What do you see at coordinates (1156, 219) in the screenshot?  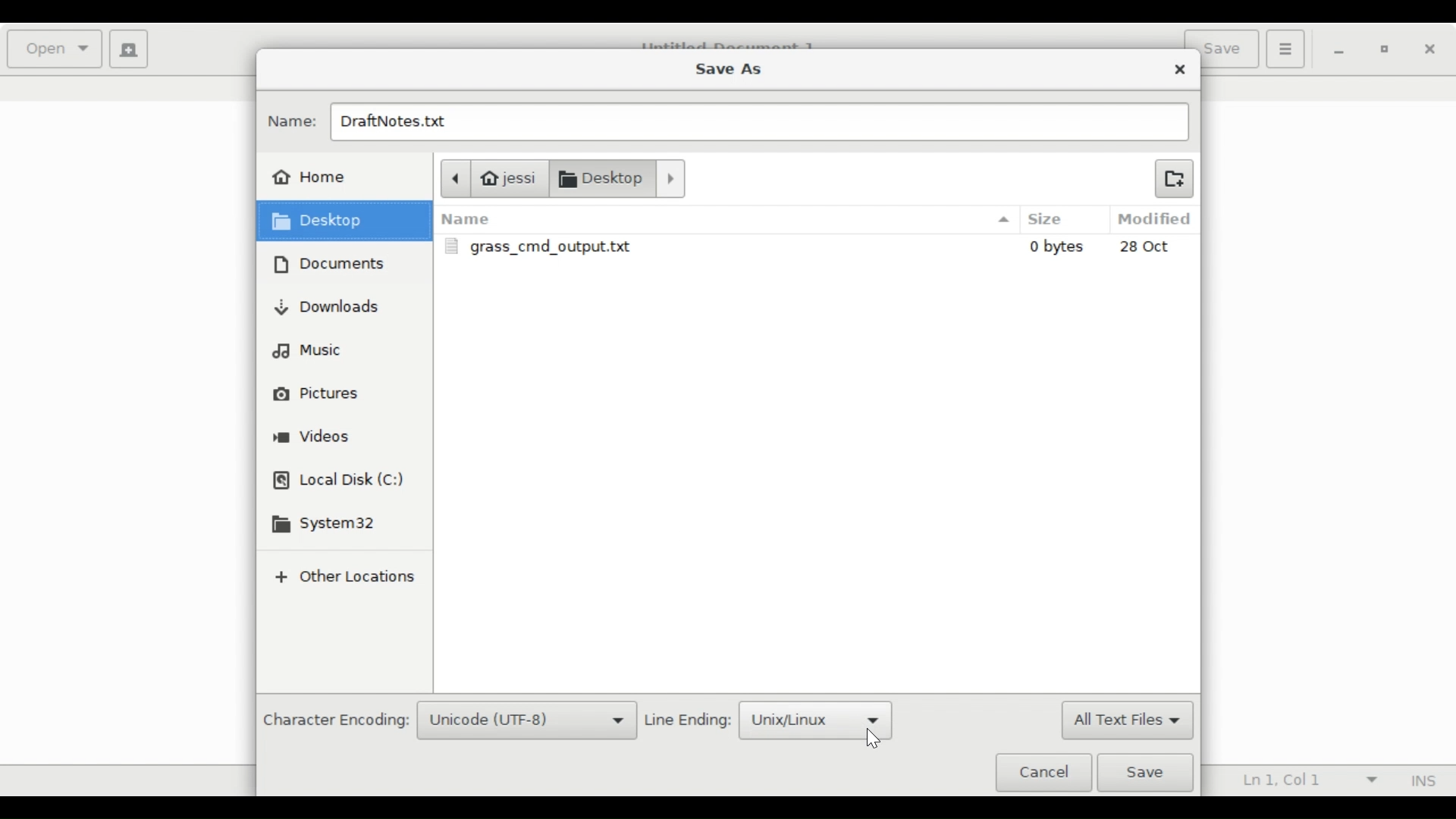 I see `Modified` at bounding box center [1156, 219].